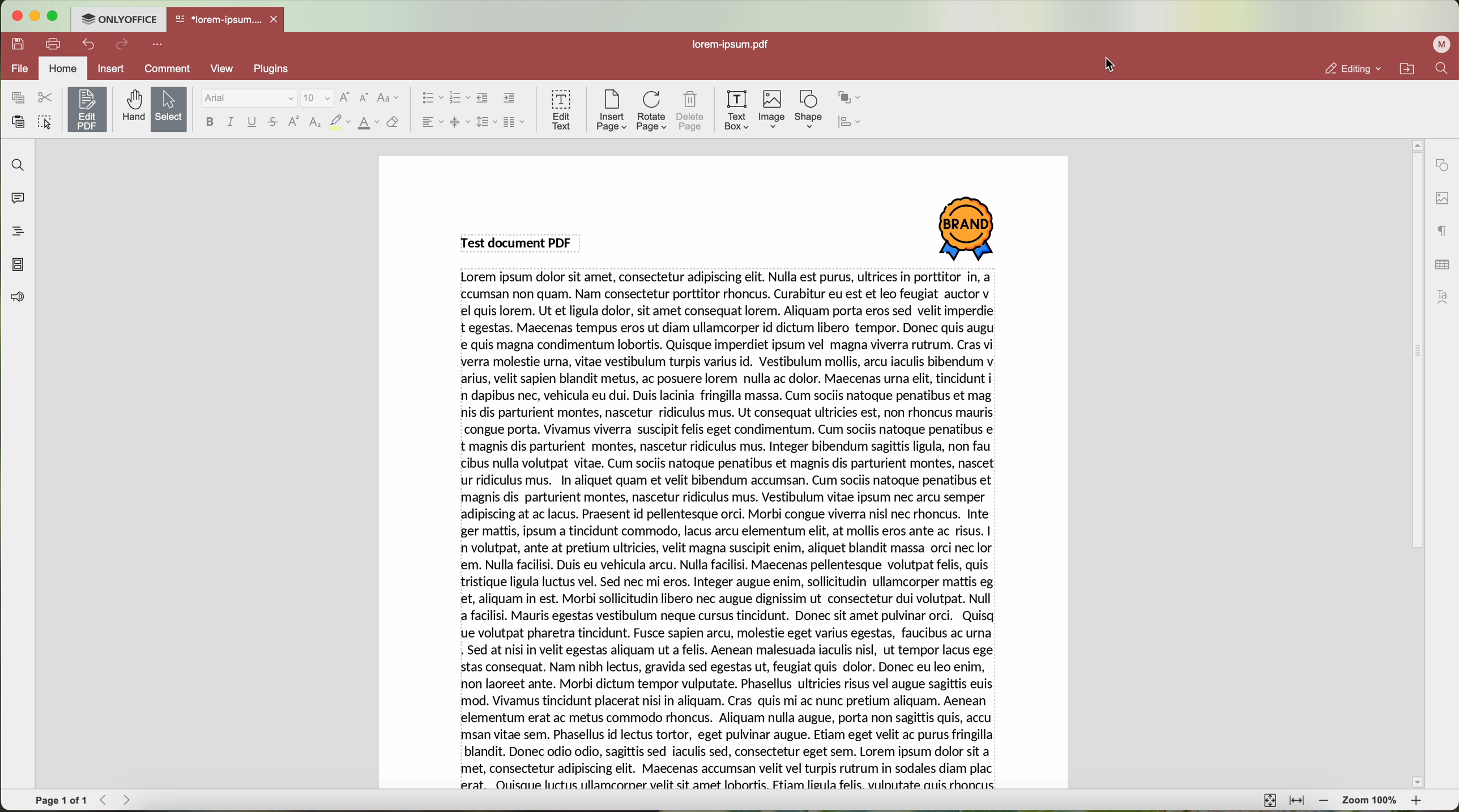  Describe the element at coordinates (54, 43) in the screenshot. I see `print` at that location.